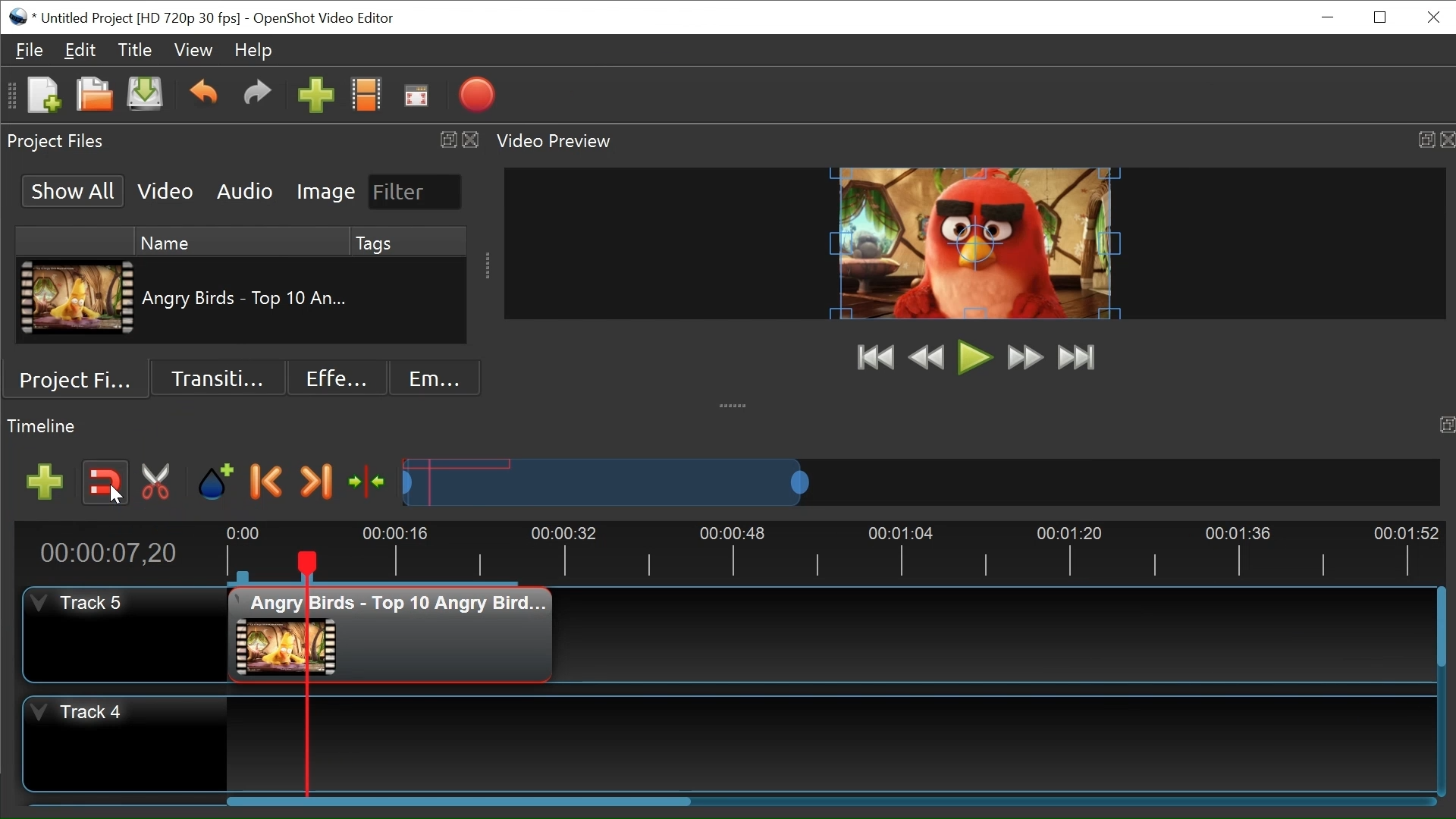 The image size is (1456, 819). What do you see at coordinates (80, 601) in the screenshot?
I see `Track Header` at bounding box center [80, 601].